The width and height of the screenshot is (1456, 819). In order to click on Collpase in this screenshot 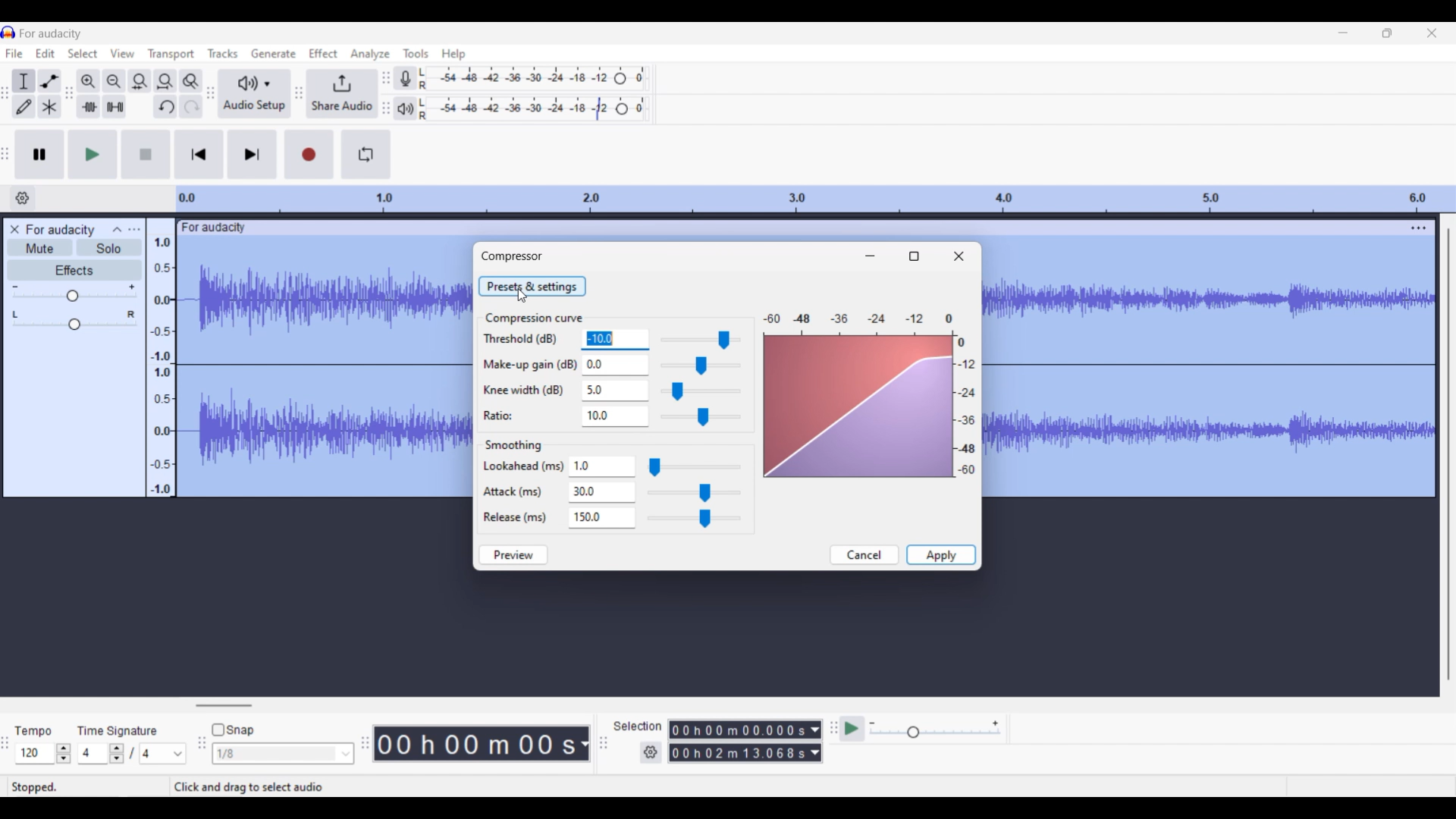, I will do `click(118, 229)`.